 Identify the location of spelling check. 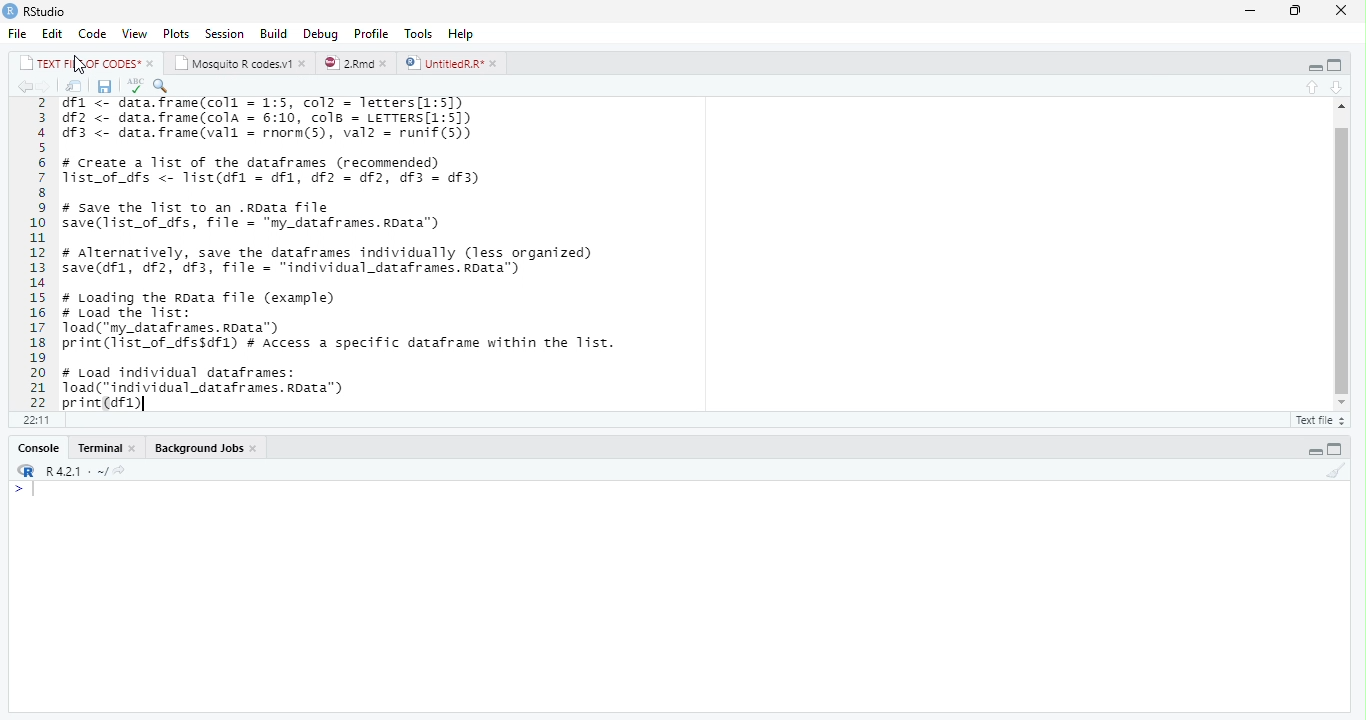
(135, 86).